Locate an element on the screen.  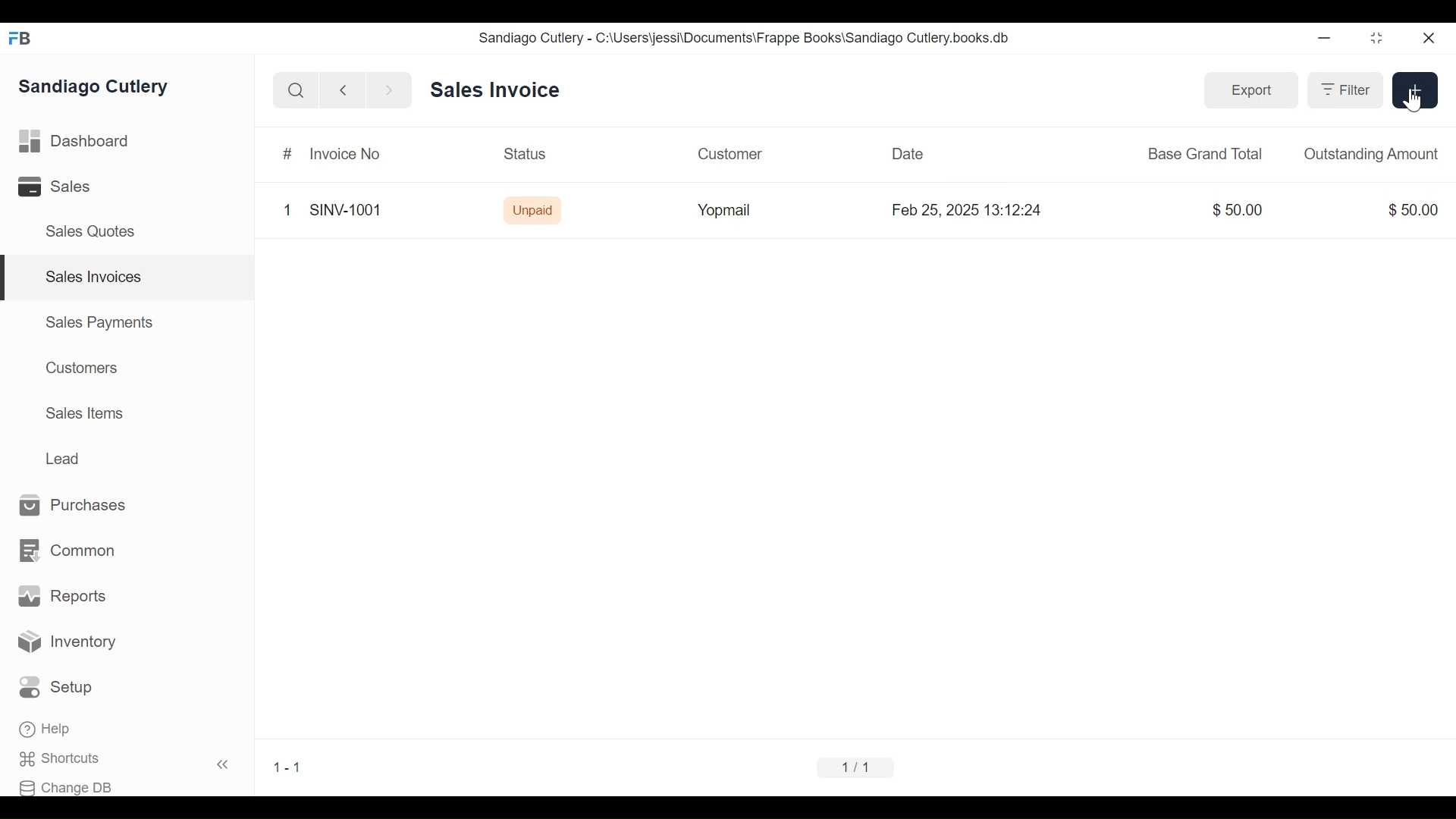
Date is located at coordinates (910, 154).